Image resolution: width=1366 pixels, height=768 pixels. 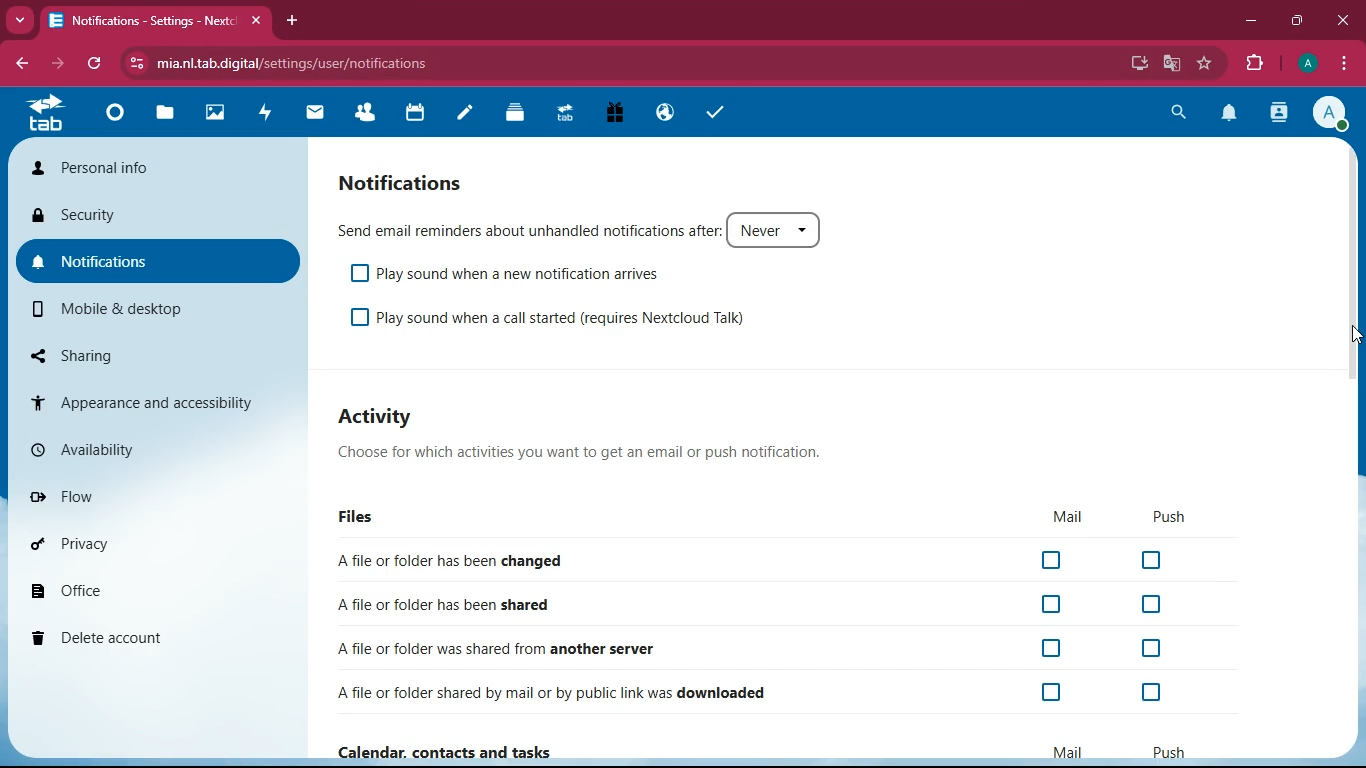 I want to click on off, so click(x=1056, y=691).